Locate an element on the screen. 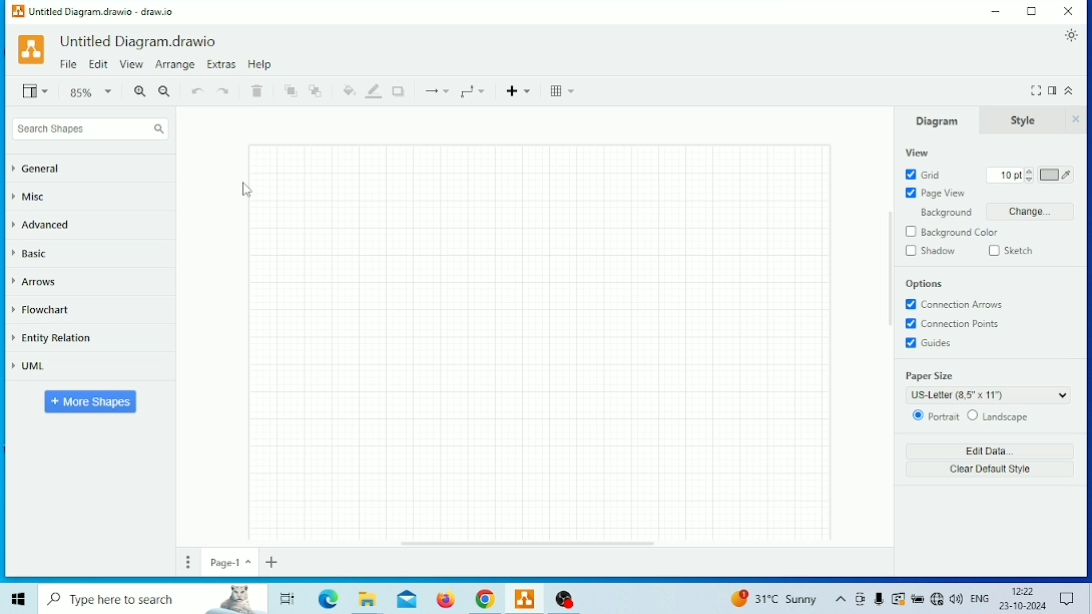 This screenshot has width=1092, height=614. Redo is located at coordinates (225, 91).